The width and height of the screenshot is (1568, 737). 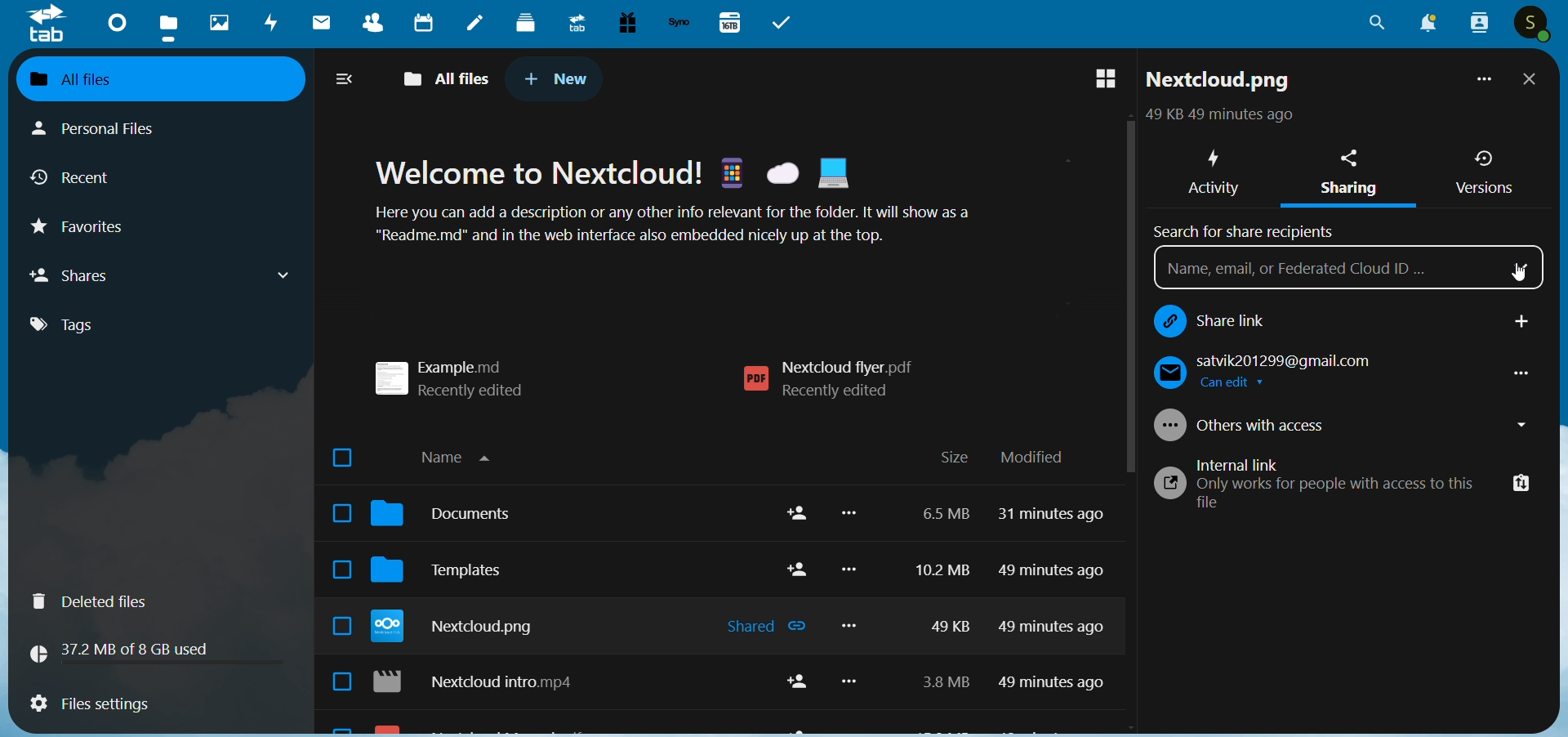 I want to click on nextcloud png, so click(x=1219, y=83).